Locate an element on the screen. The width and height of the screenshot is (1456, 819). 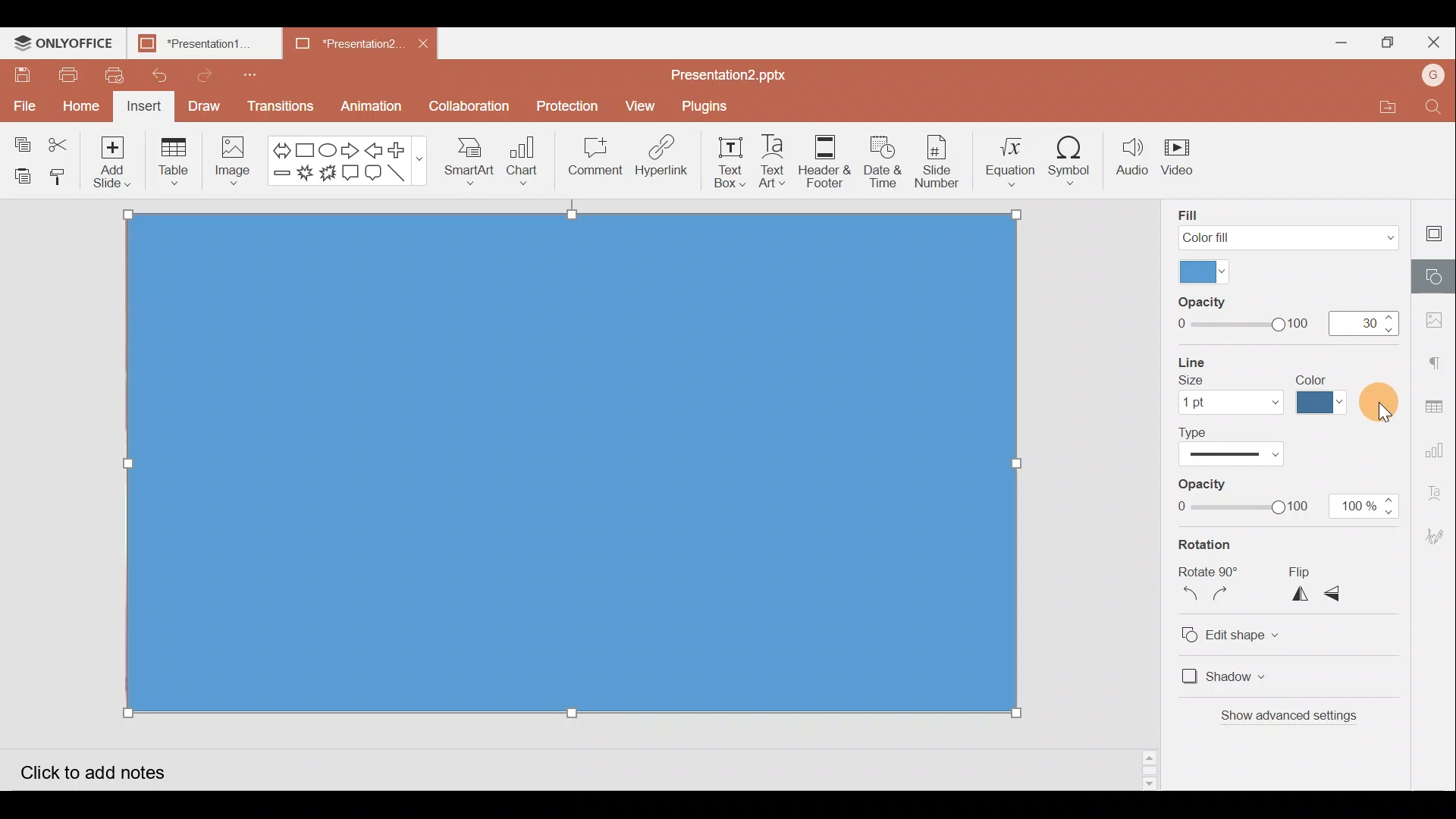
Paste is located at coordinates (21, 173).